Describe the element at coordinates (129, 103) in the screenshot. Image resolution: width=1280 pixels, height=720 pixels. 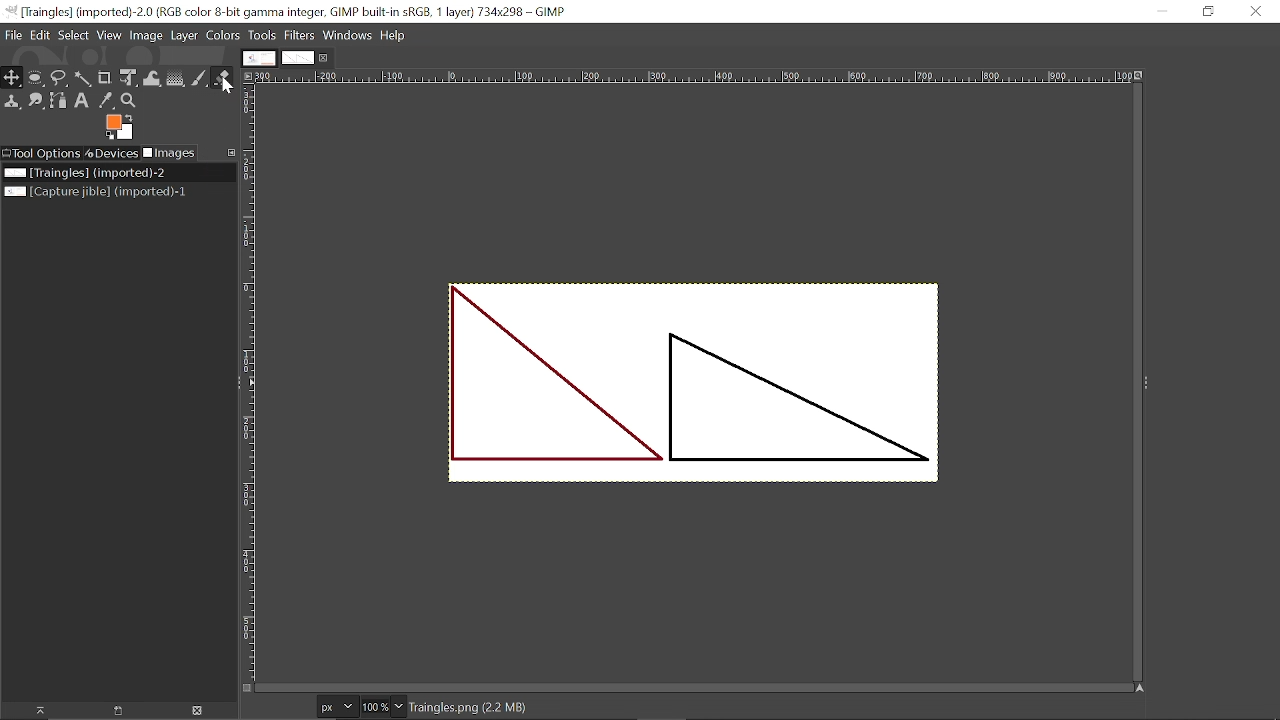
I see `Zoom tool` at that location.